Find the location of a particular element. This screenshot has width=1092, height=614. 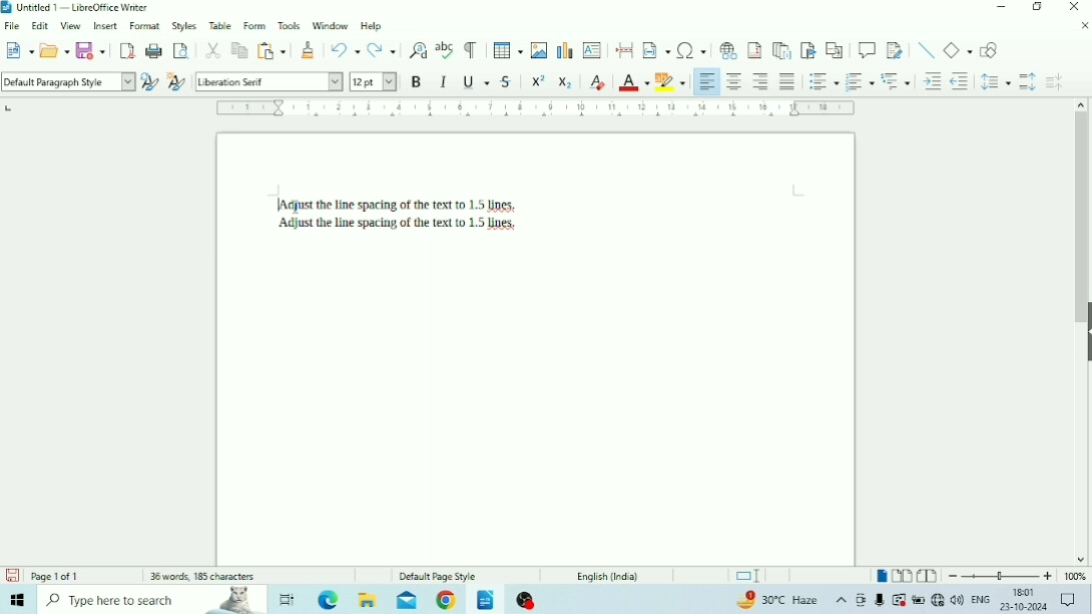

Insert Field is located at coordinates (656, 49).